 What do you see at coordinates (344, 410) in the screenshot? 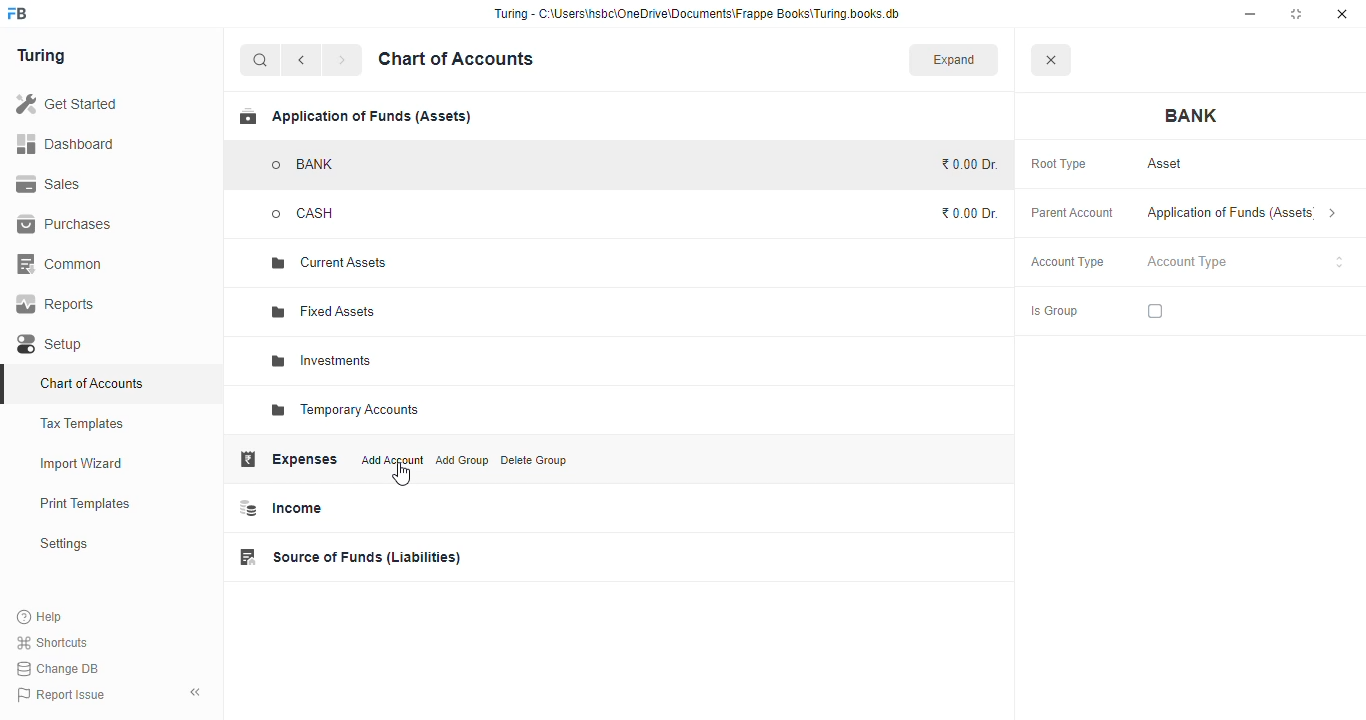
I see `temporary accounts` at bounding box center [344, 410].